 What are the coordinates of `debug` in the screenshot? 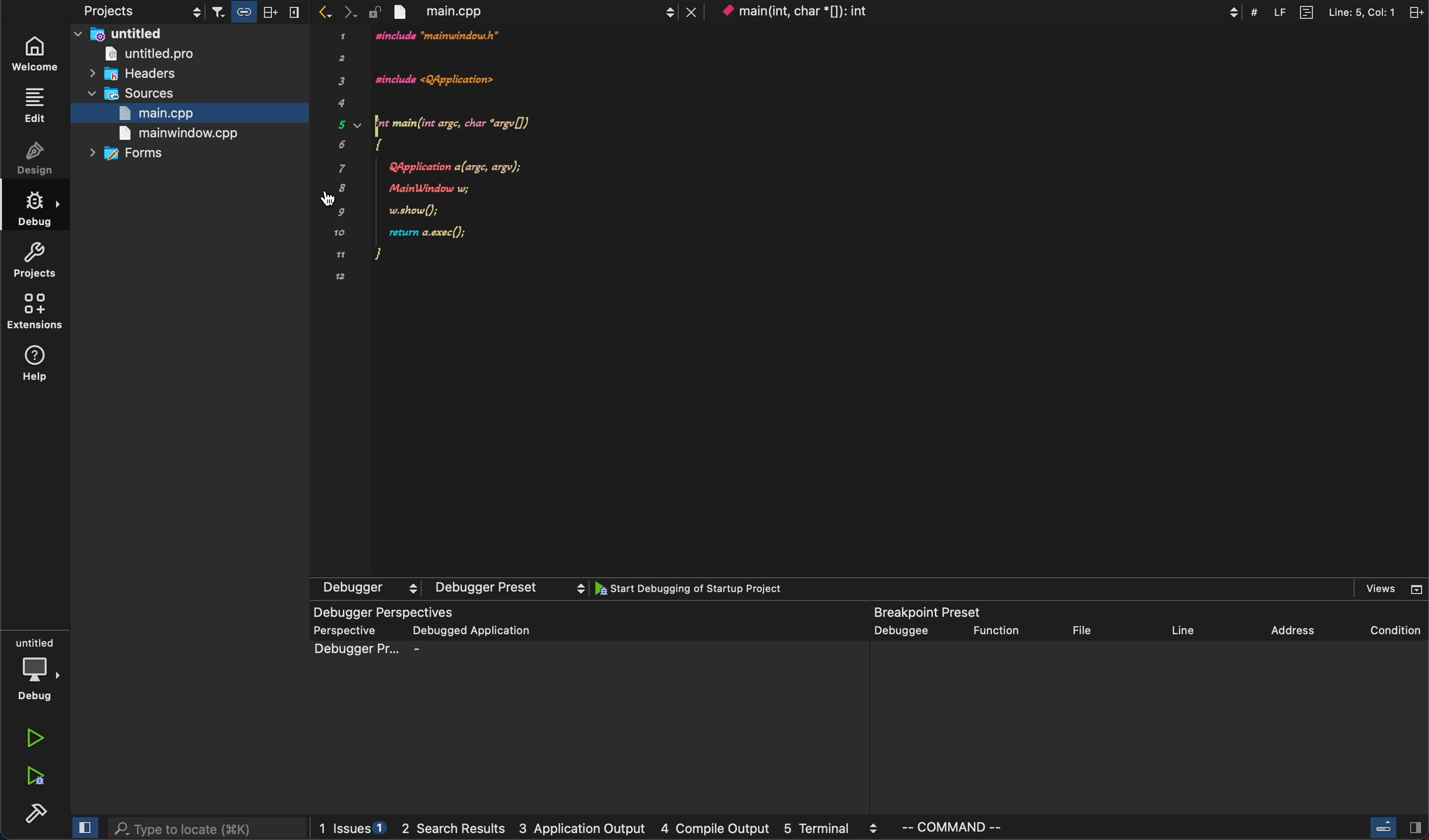 It's located at (36, 672).